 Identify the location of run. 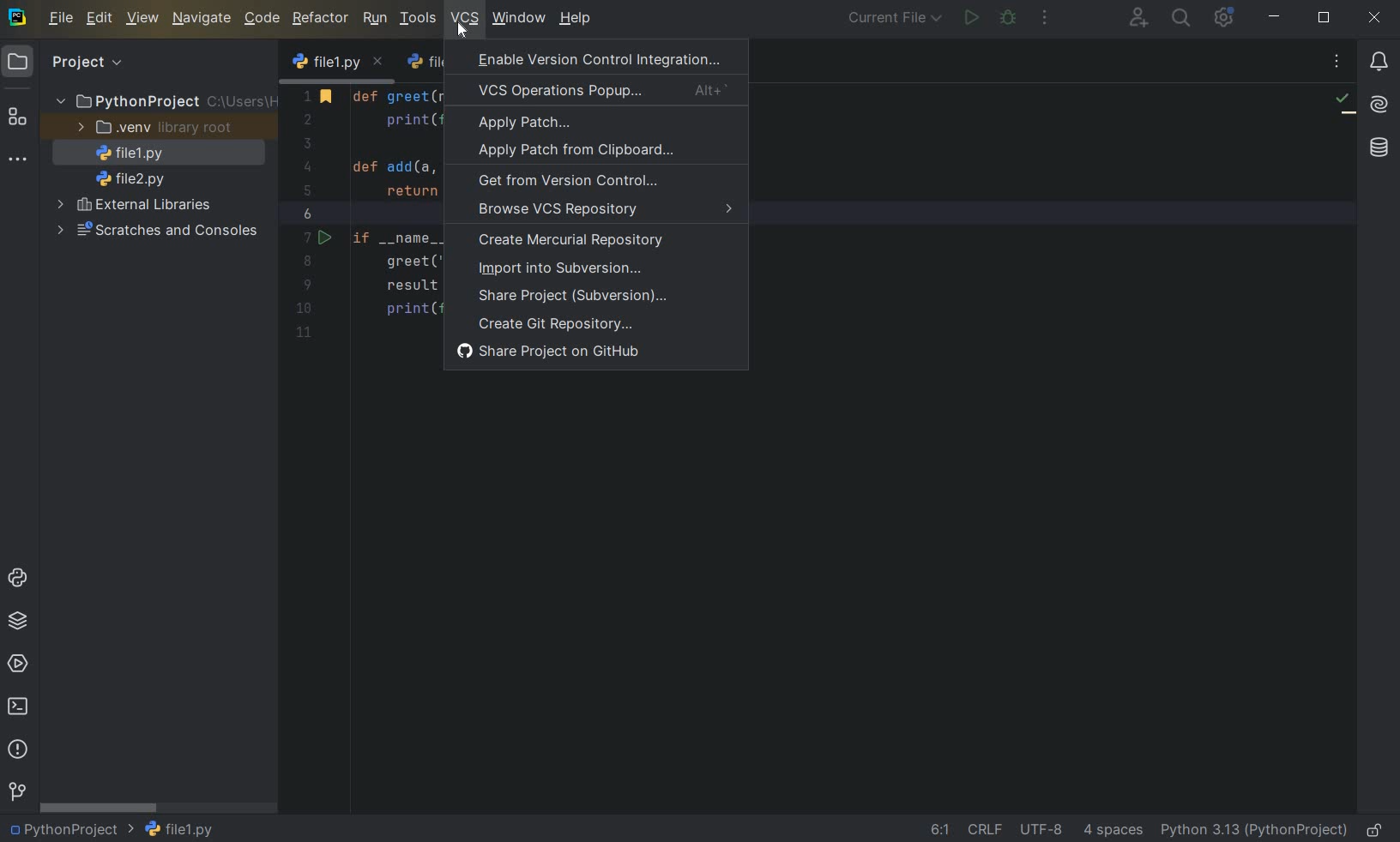
(374, 19).